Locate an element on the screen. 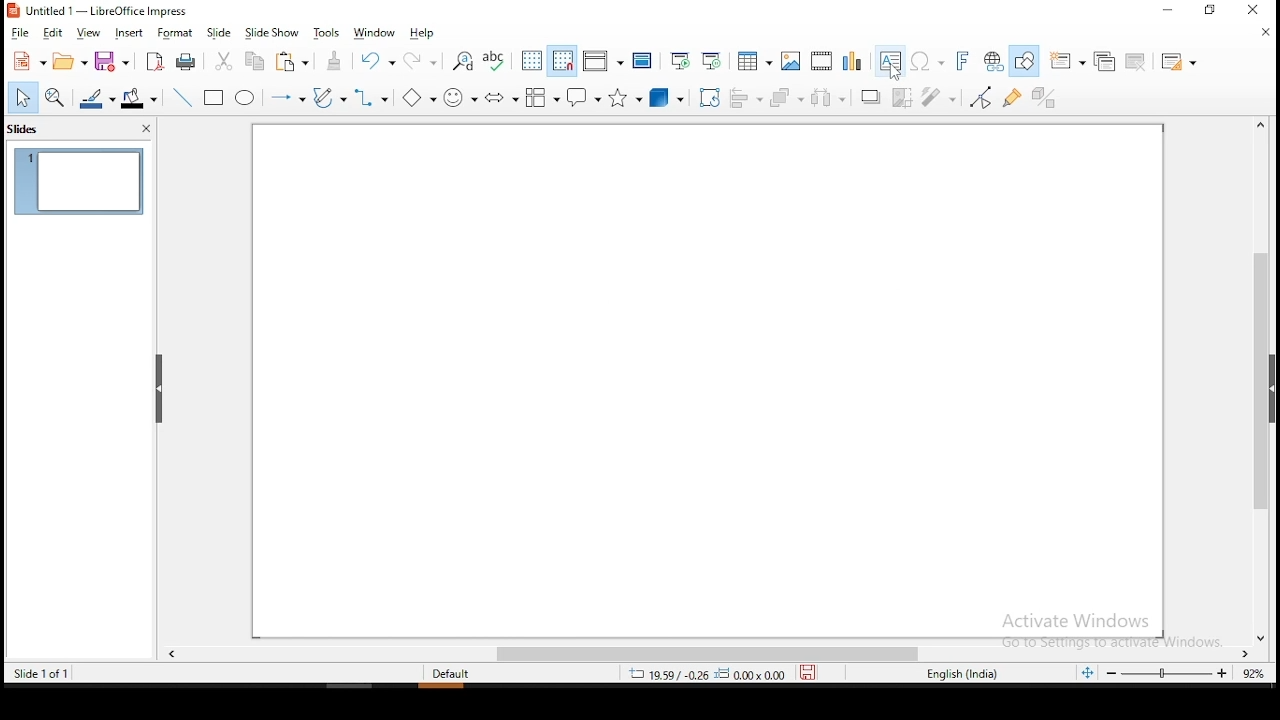 This screenshot has width=1280, height=720. close is located at coordinates (1265, 36).